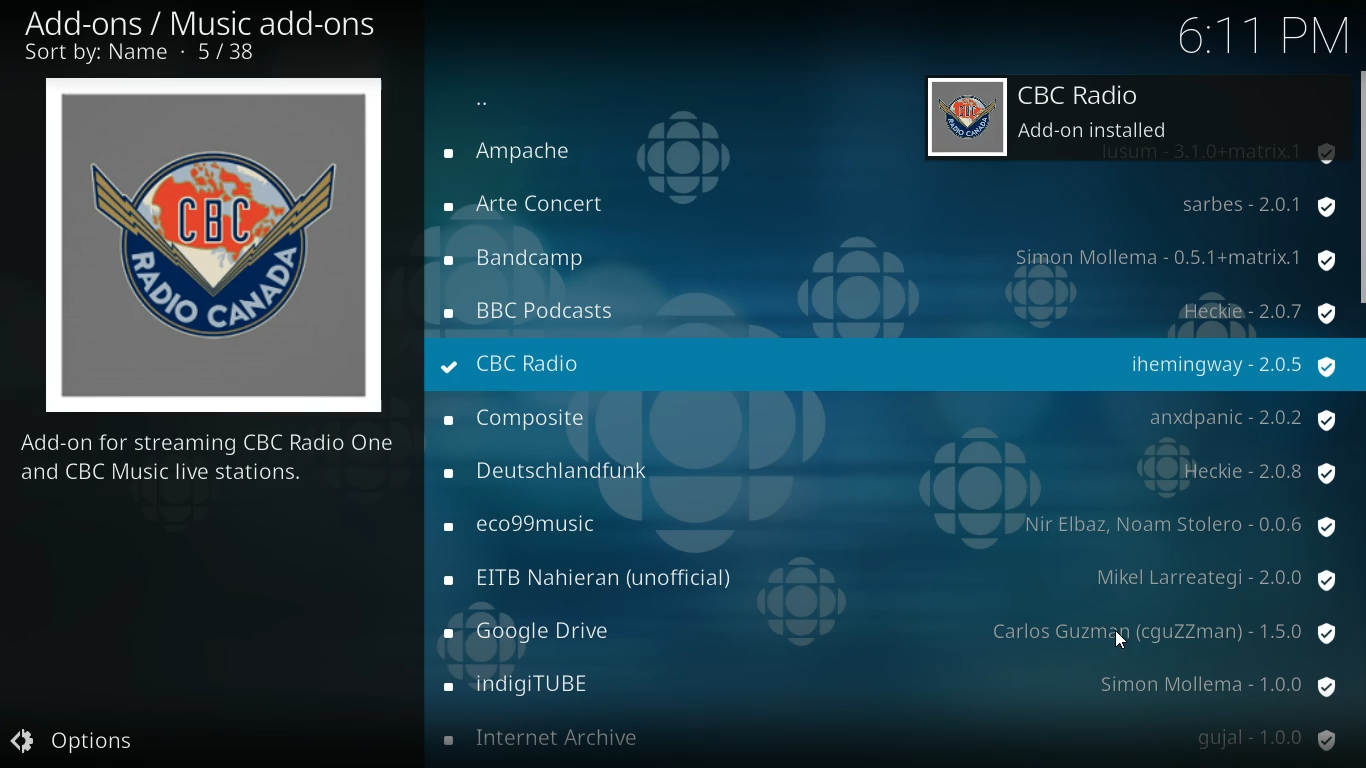 This screenshot has height=768, width=1366. What do you see at coordinates (77, 738) in the screenshot?
I see `options` at bounding box center [77, 738].